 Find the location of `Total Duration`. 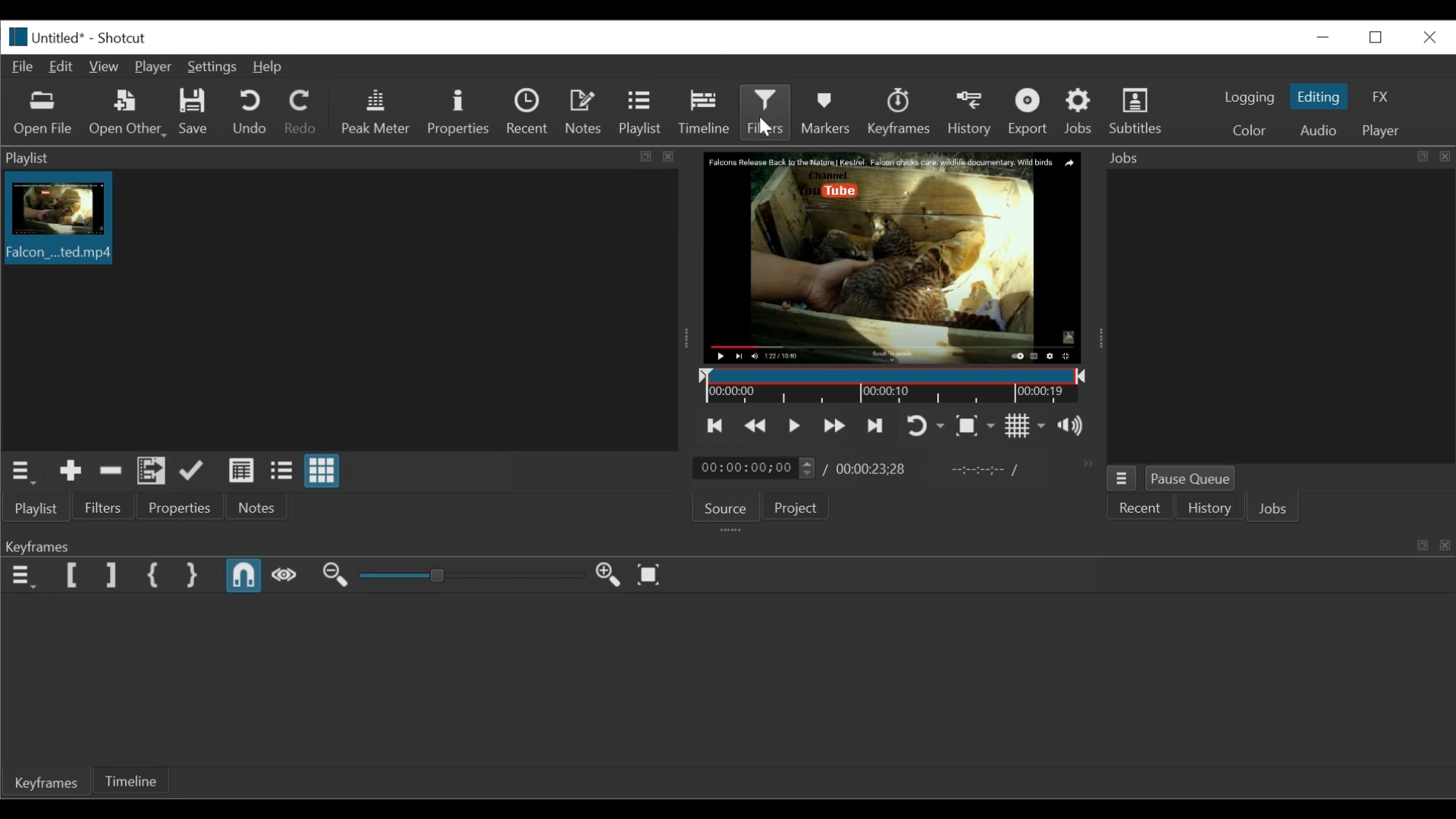

Total Duration is located at coordinates (871, 469).